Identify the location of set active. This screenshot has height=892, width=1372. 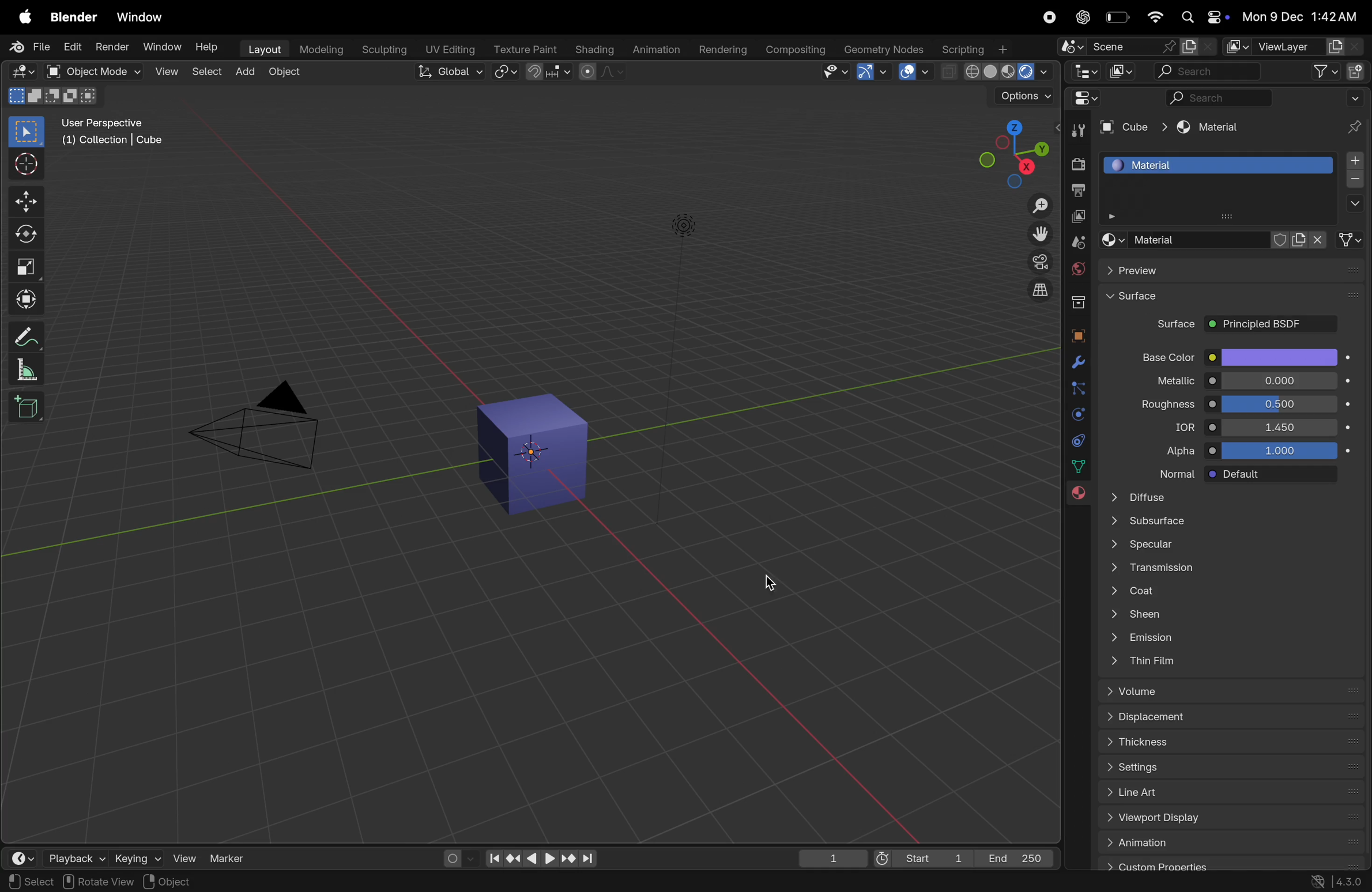
(36, 880).